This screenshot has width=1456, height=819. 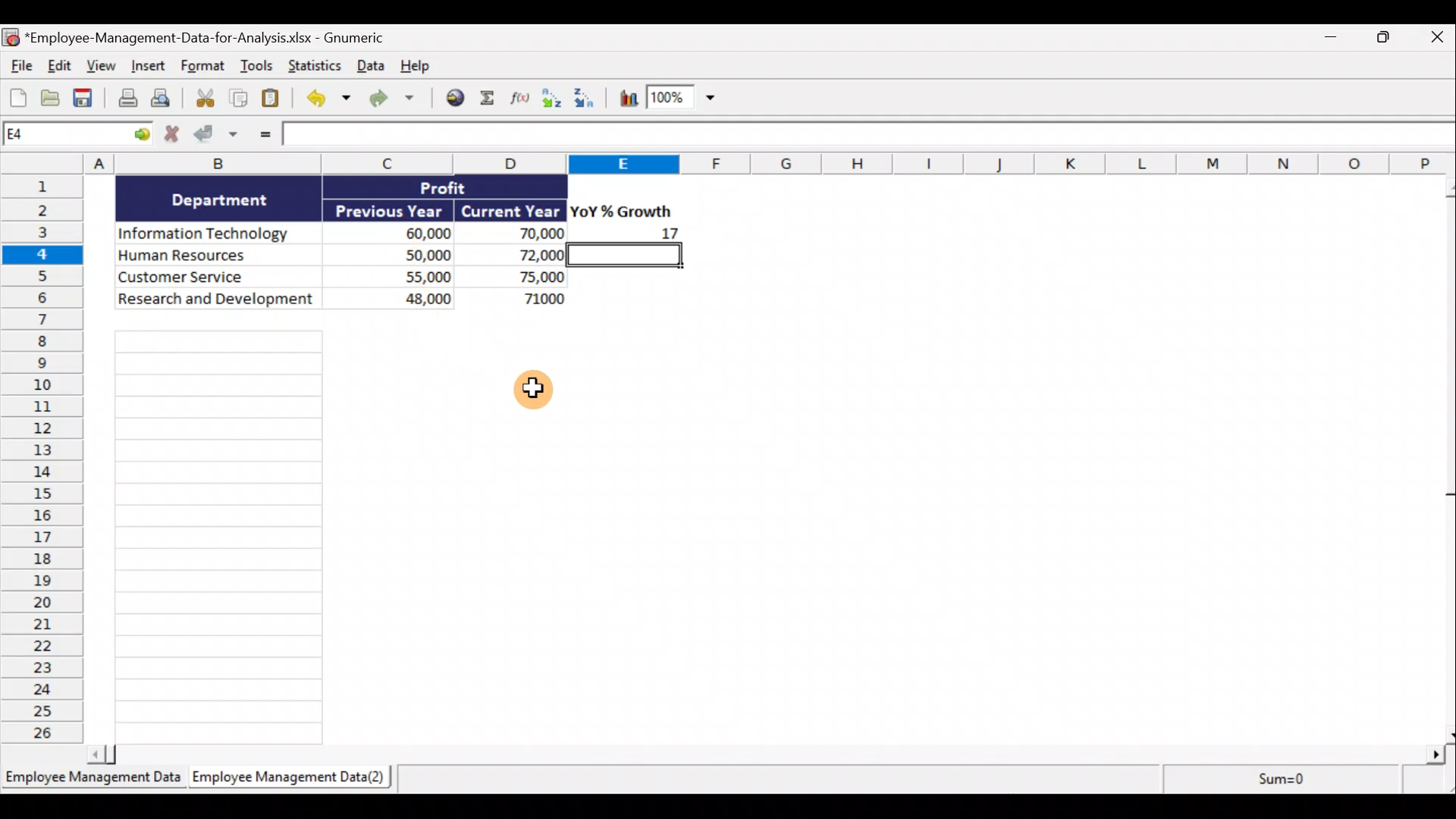 I want to click on YoY% Growth, so click(x=622, y=211).